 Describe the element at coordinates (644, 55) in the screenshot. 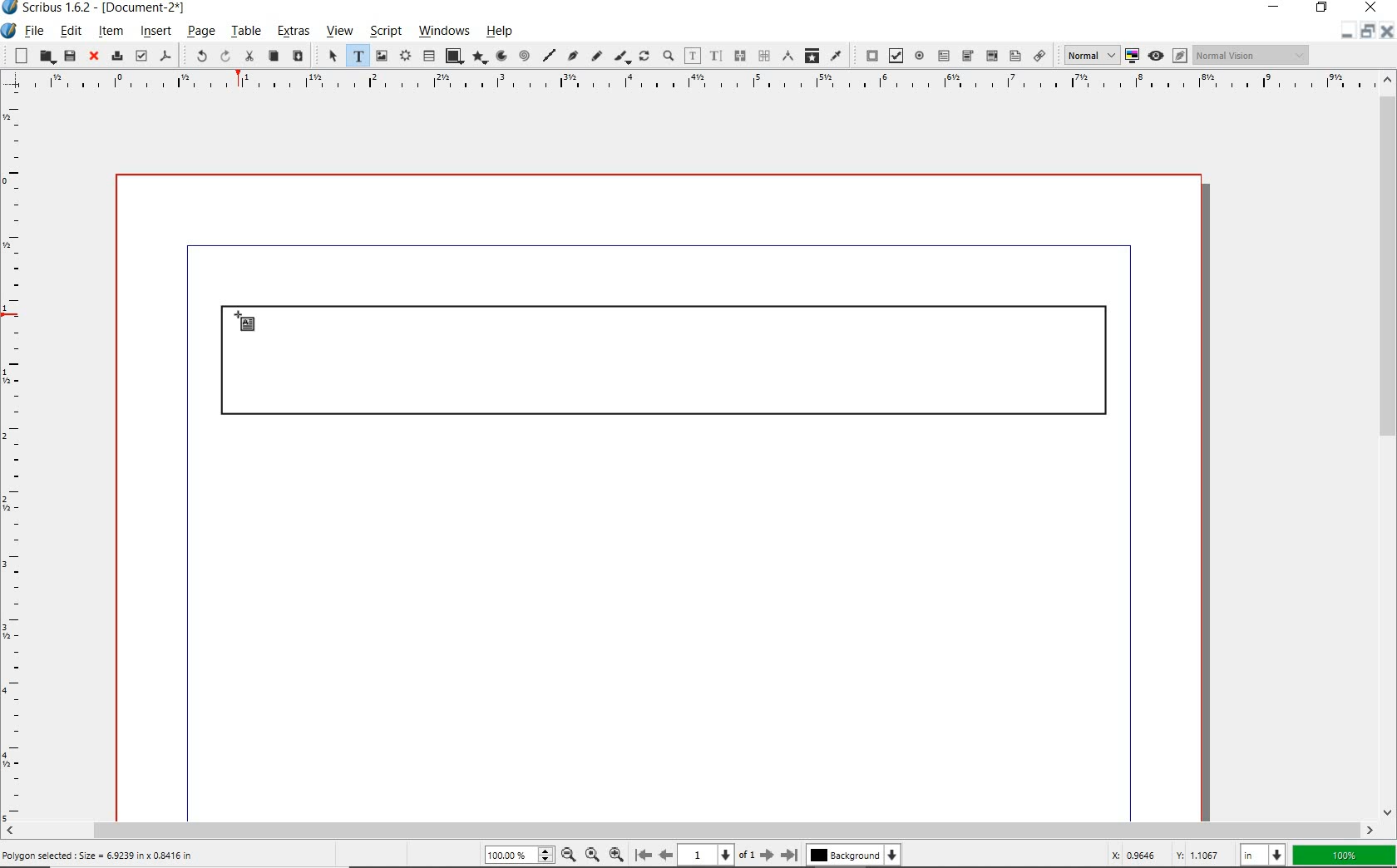

I see `rotate item` at that location.